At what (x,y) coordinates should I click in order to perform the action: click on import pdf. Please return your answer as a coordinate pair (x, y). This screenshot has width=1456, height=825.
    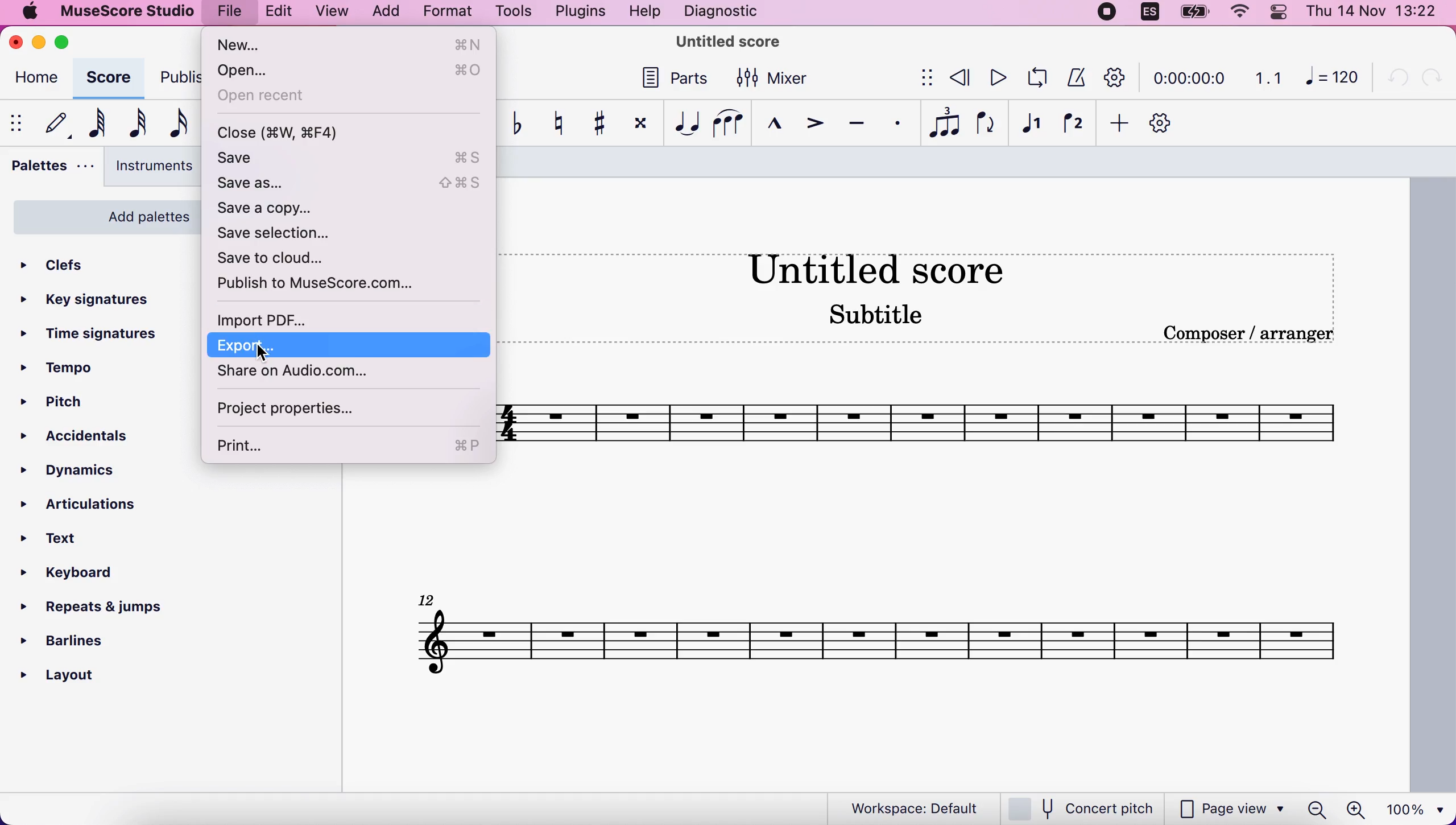
    Looking at the image, I should click on (291, 320).